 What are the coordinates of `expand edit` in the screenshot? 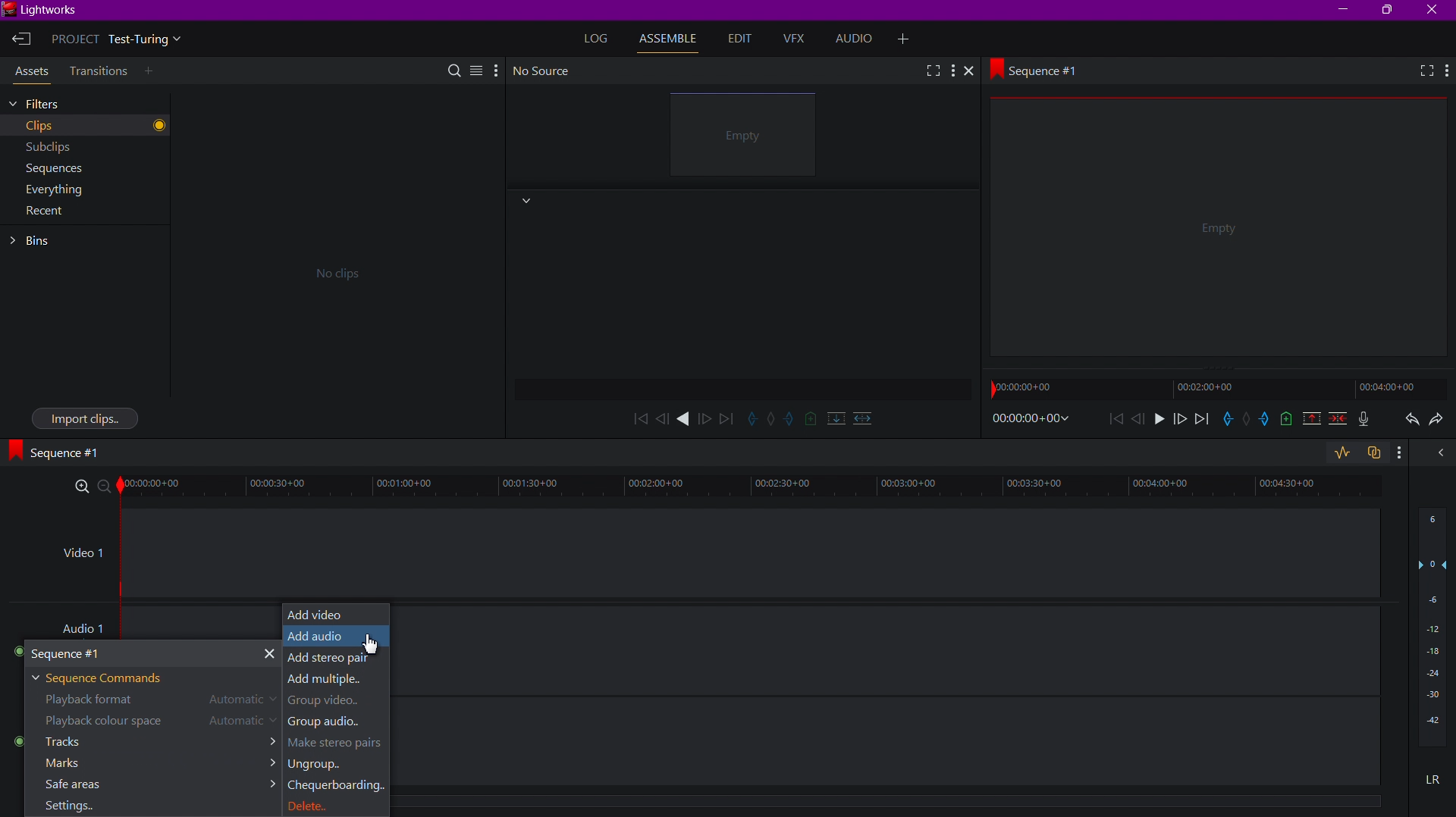 It's located at (752, 418).